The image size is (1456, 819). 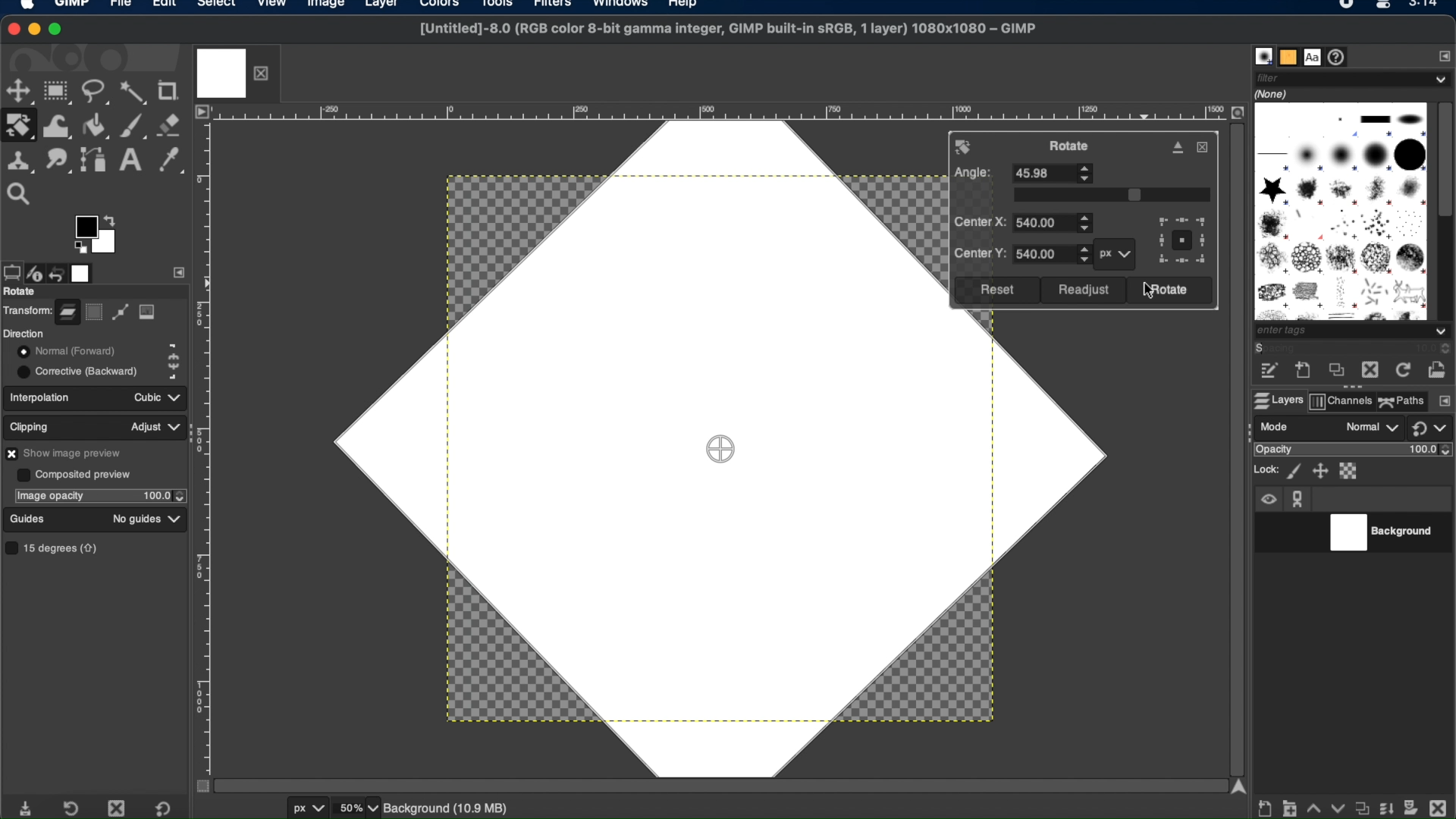 What do you see at coordinates (1426, 8) in the screenshot?
I see `time` at bounding box center [1426, 8].